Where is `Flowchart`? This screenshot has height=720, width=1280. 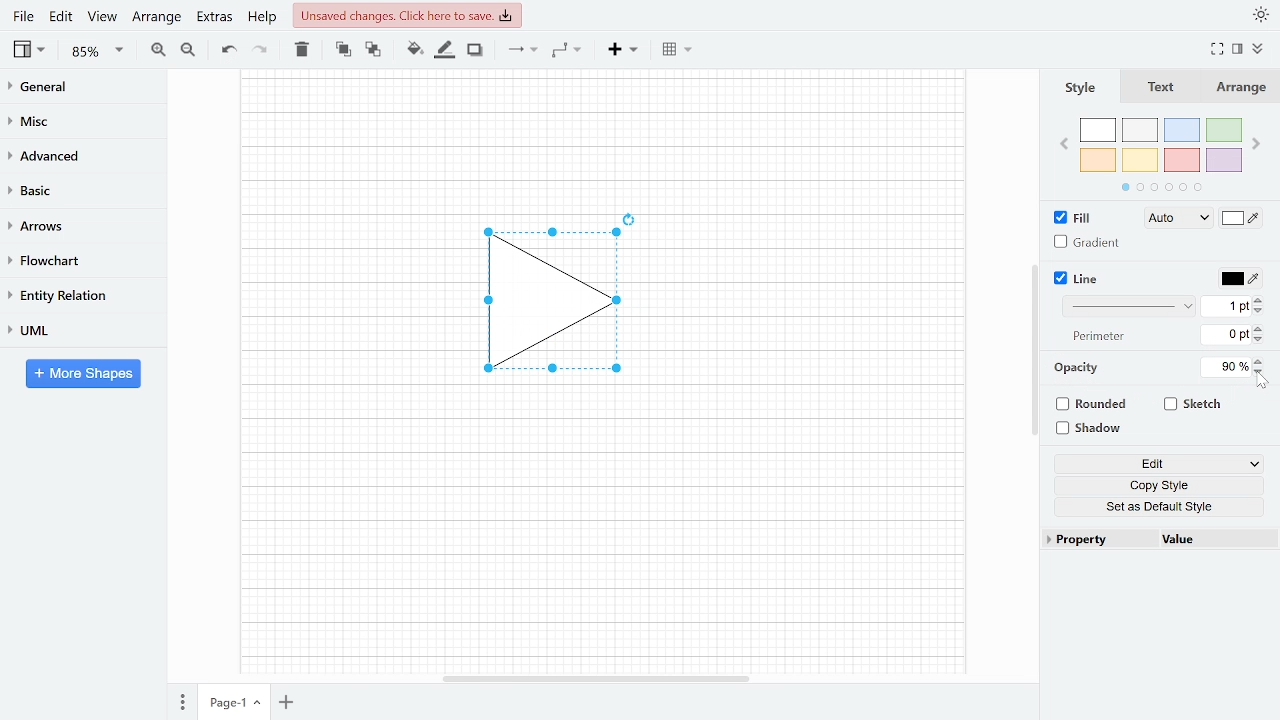
Flowchart is located at coordinates (75, 261).